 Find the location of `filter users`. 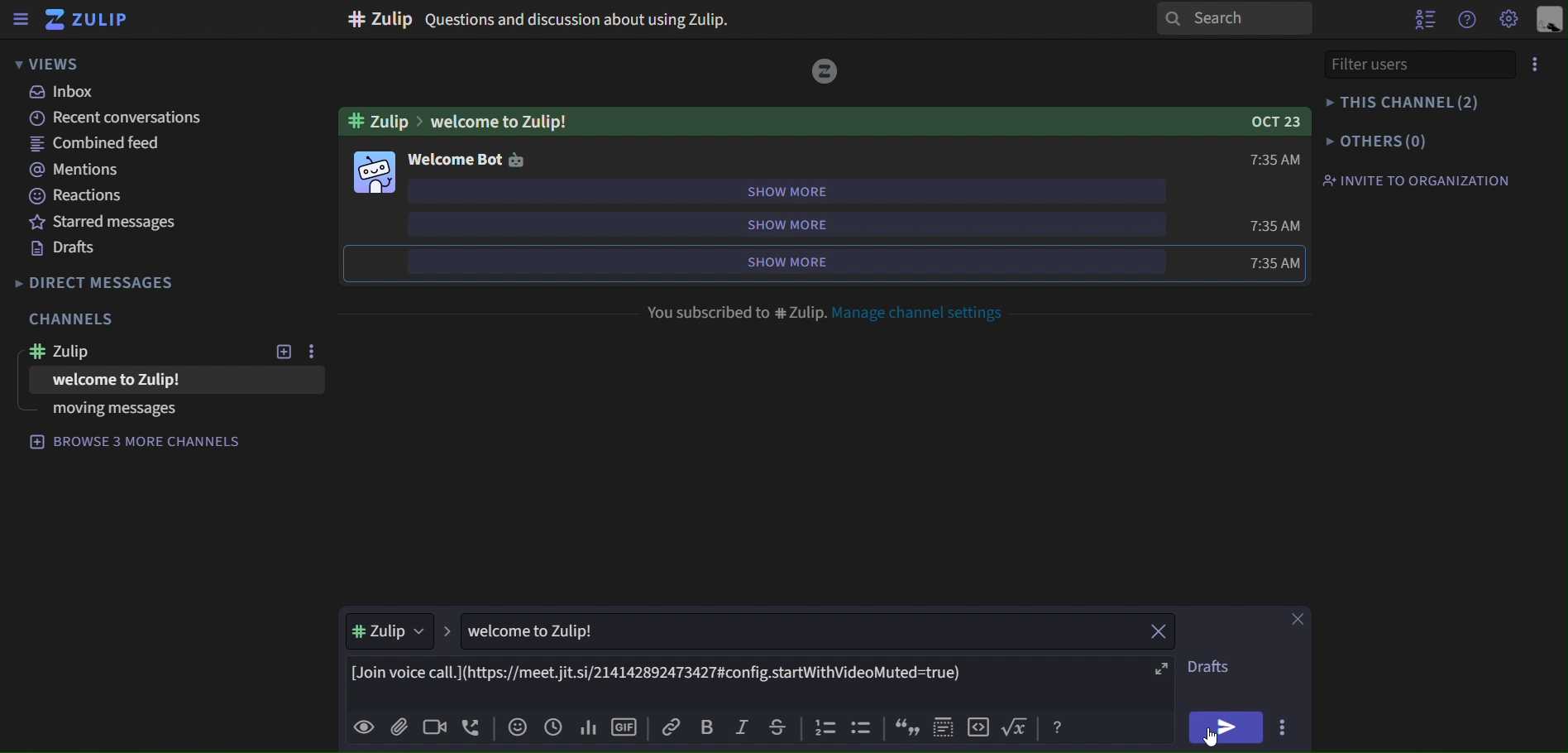

filter users is located at coordinates (1398, 65).